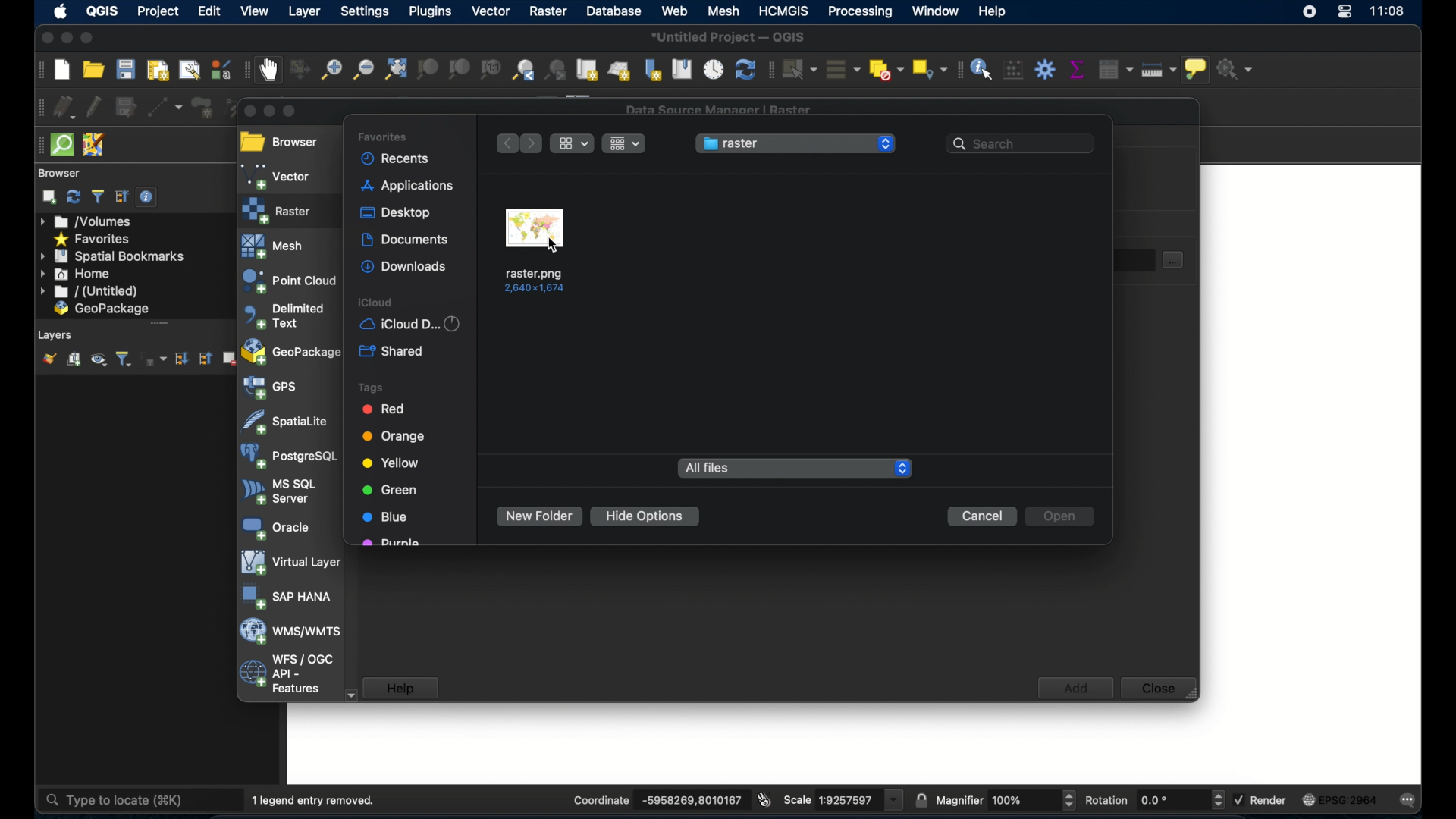 Image resolution: width=1456 pixels, height=819 pixels. I want to click on dropdown, so click(895, 800).